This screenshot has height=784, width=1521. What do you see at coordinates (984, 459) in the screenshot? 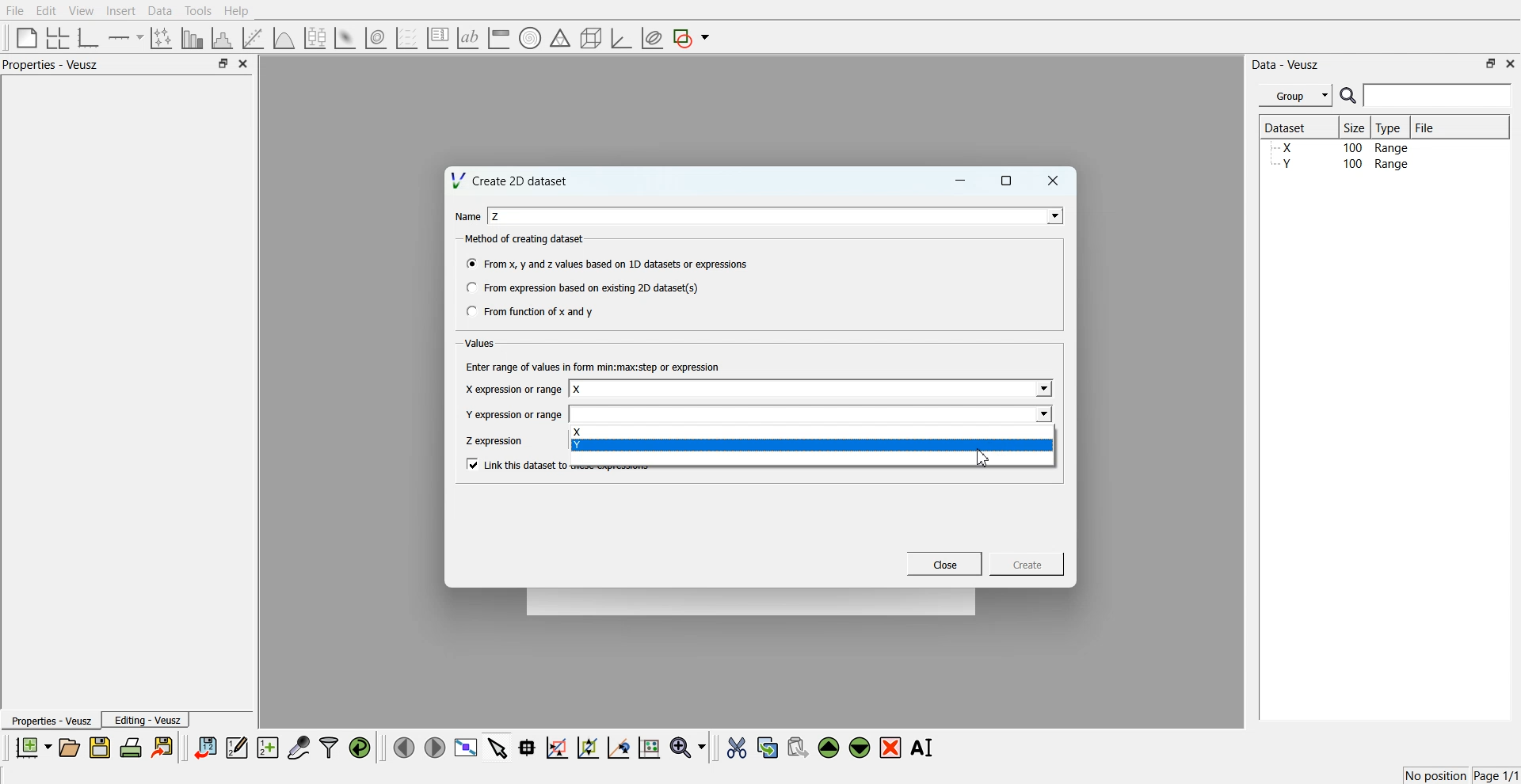
I see `Cursor` at bounding box center [984, 459].